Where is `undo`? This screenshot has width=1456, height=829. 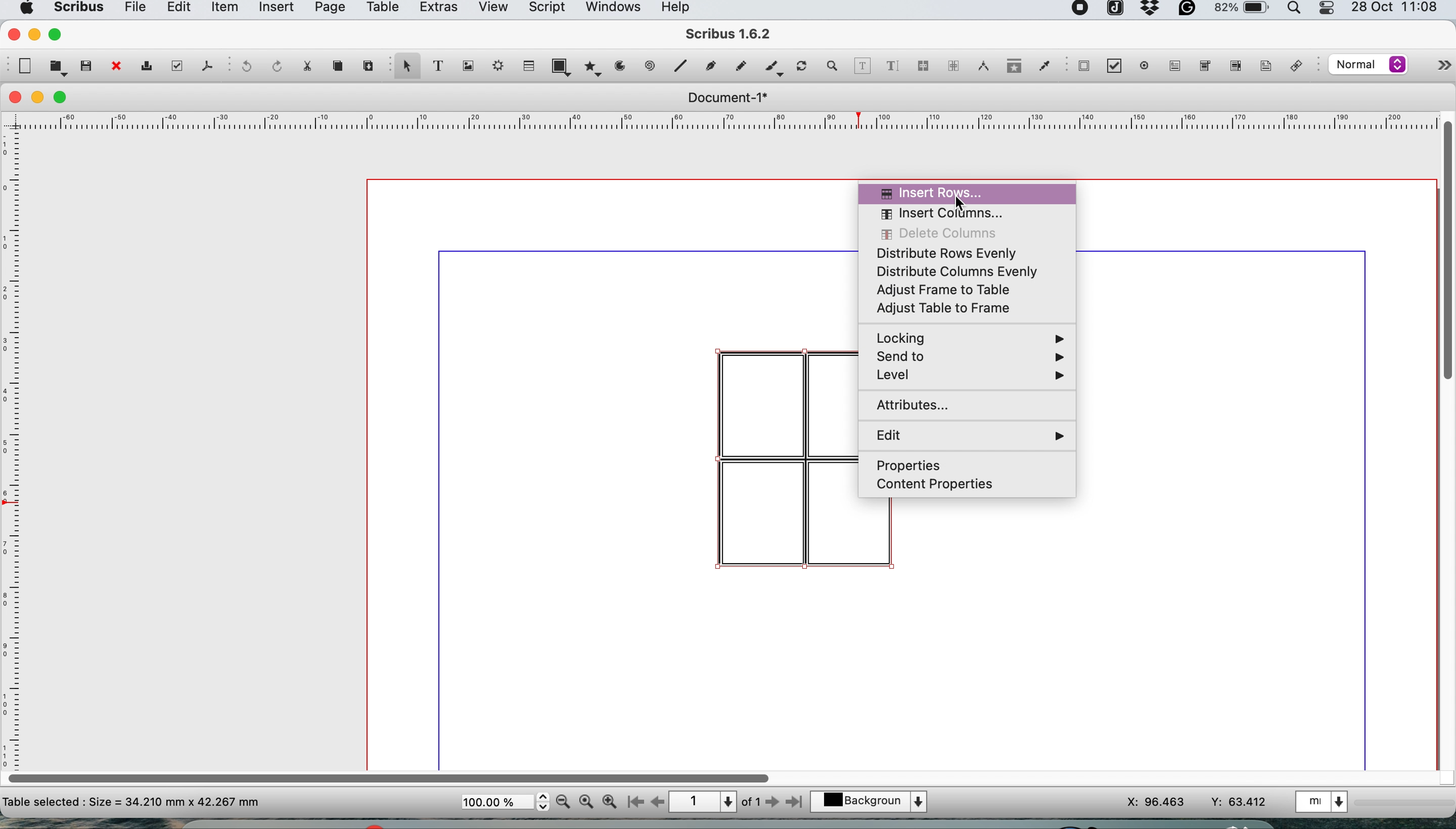 undo is located at coordinates (244, 67).